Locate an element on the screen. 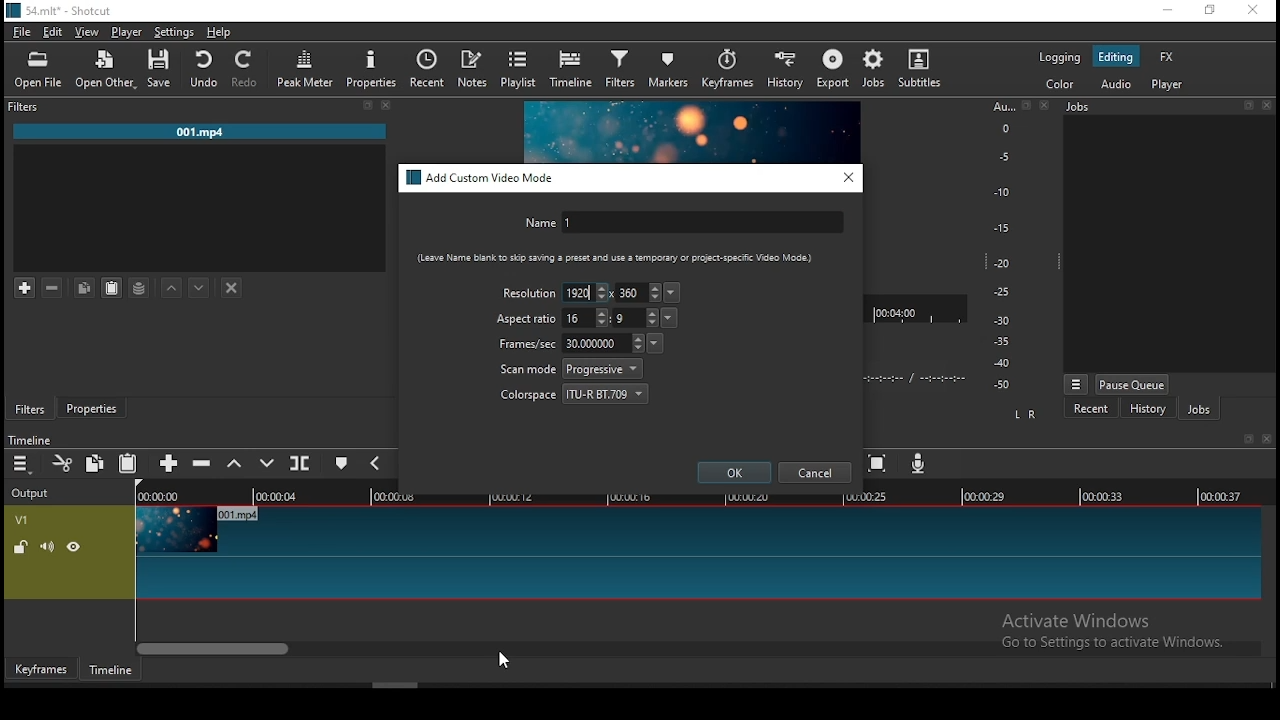 The height and width of the screenshot is (720, 1280). -20 is located at coordinates (1002, 263).